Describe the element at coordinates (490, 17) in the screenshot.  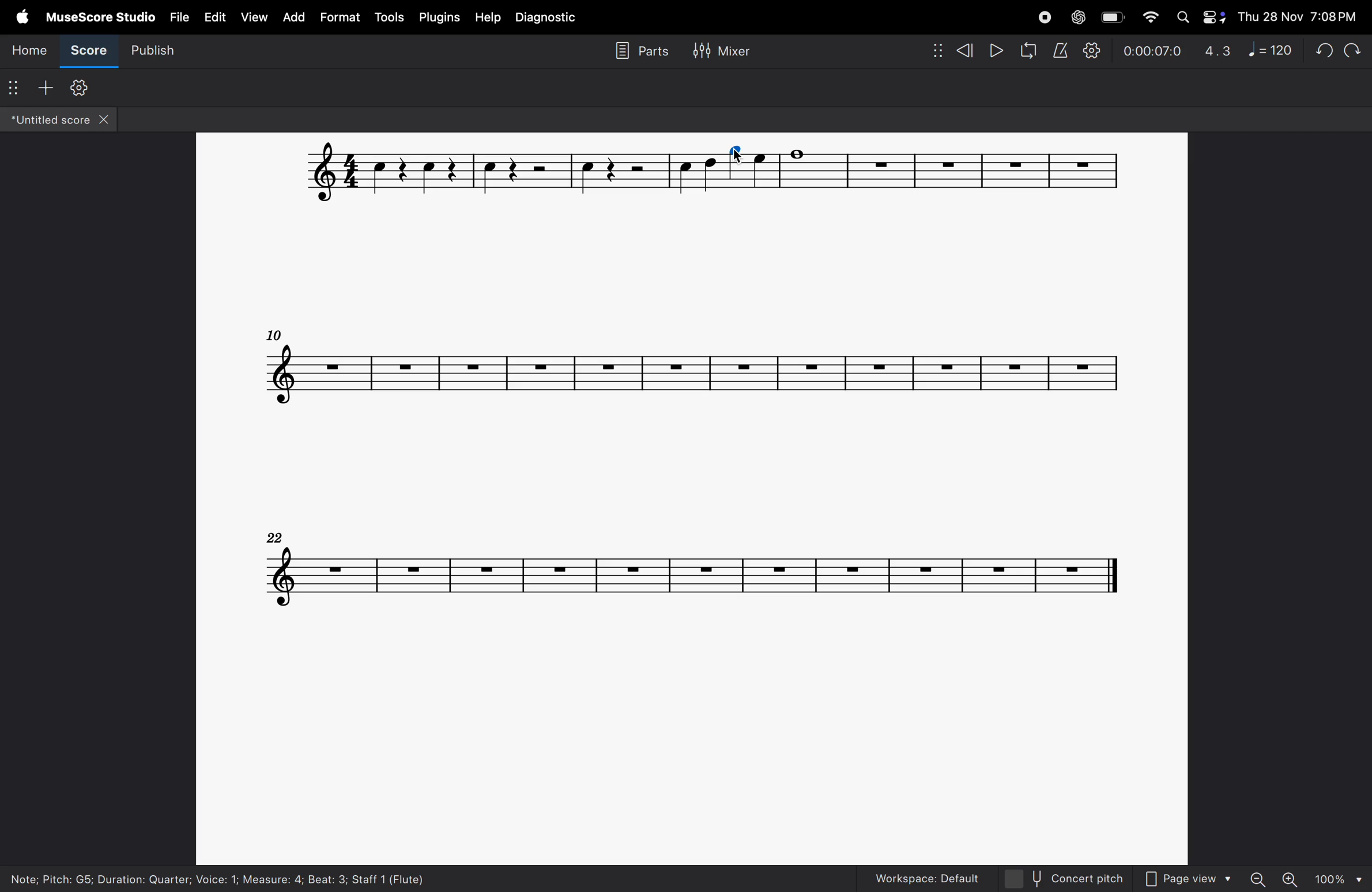
I see `help` at that location.